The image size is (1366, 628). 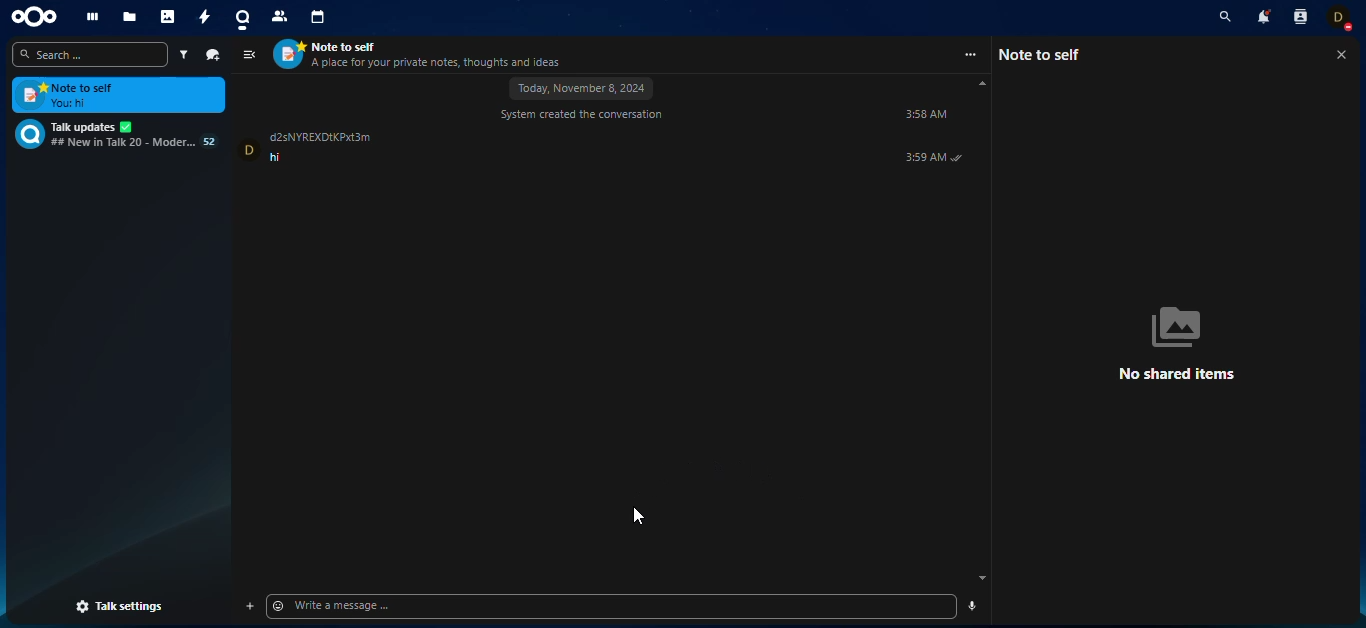 What do you see at coordinates (610, 605) in the screenshot?
I see `write message` at bounding box center [610, 605].